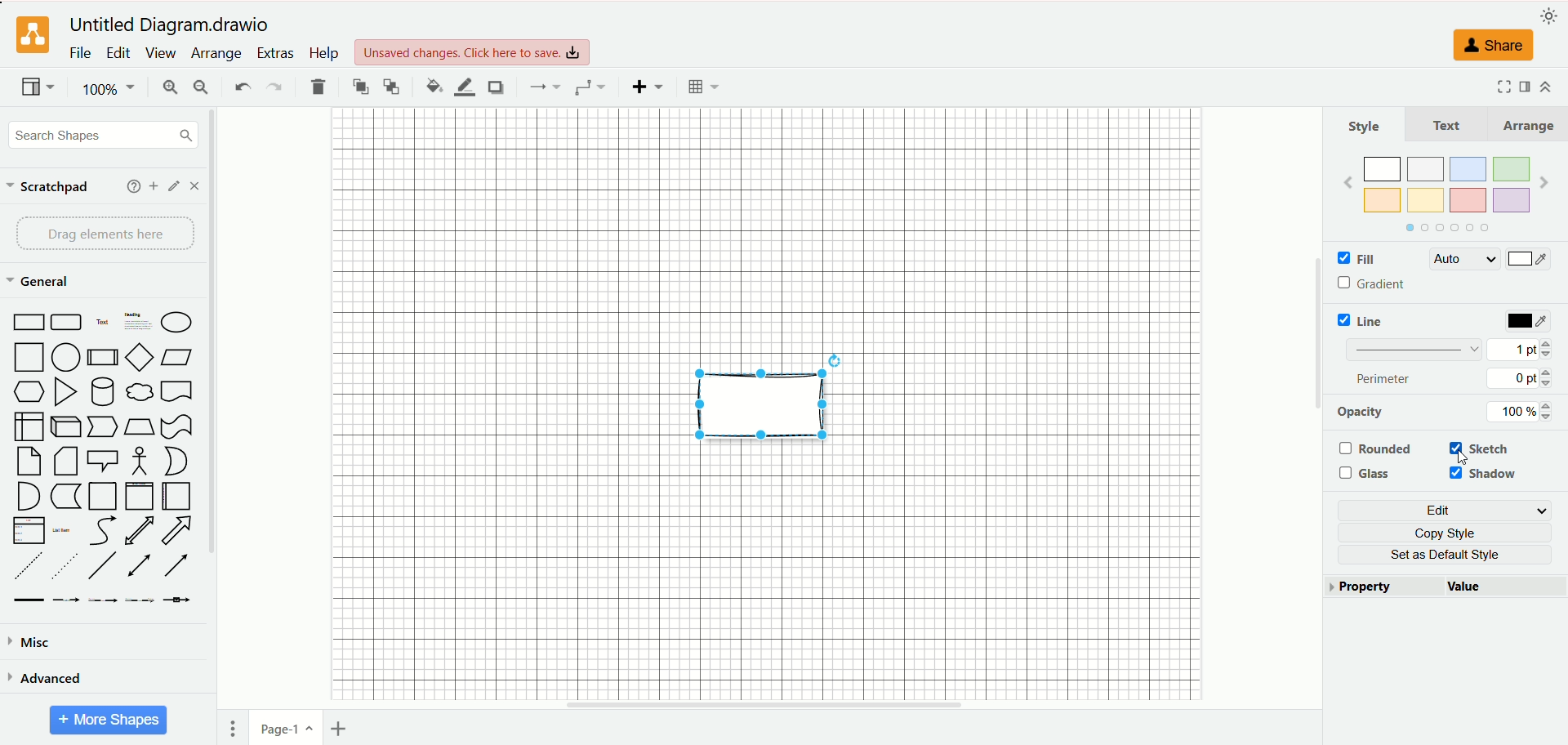 The height and width of the screenshot is (745, 1568). I want to click on next color options, so click(1544, 185).